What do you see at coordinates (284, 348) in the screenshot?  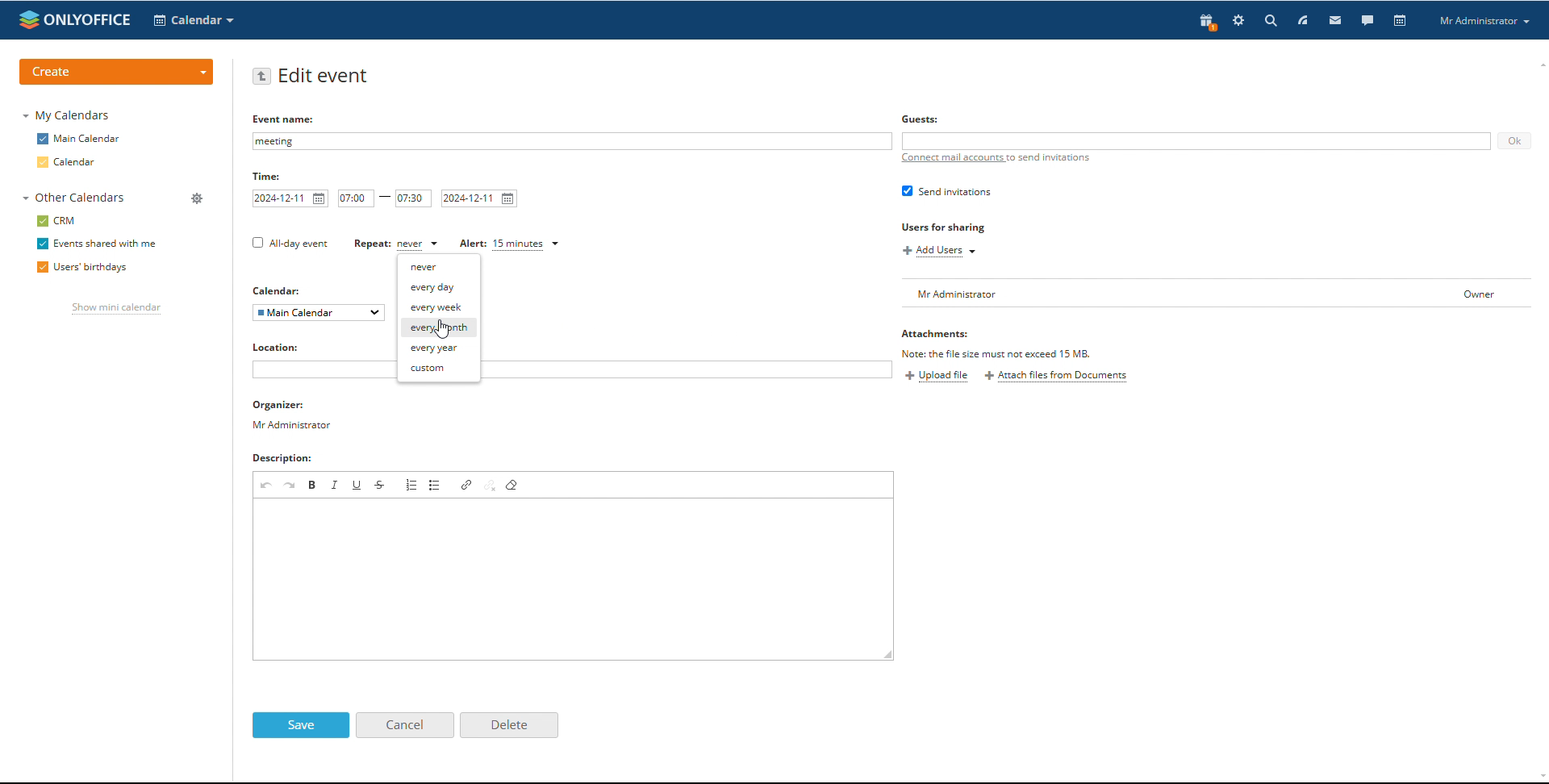 I see `Location:` at bounding box center [284, 348].